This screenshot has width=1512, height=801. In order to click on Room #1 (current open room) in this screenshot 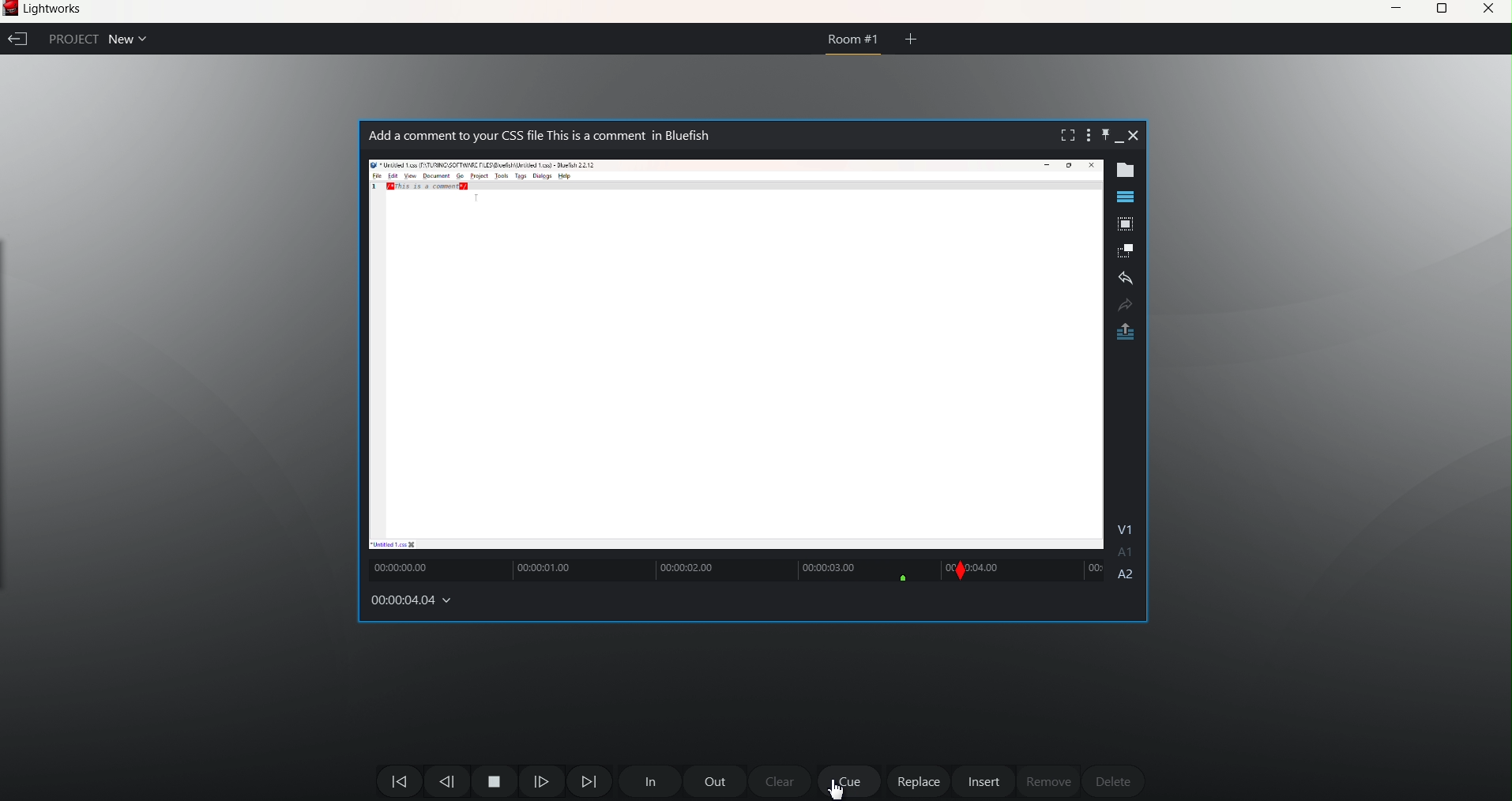, I will do `click(854, 44)`.